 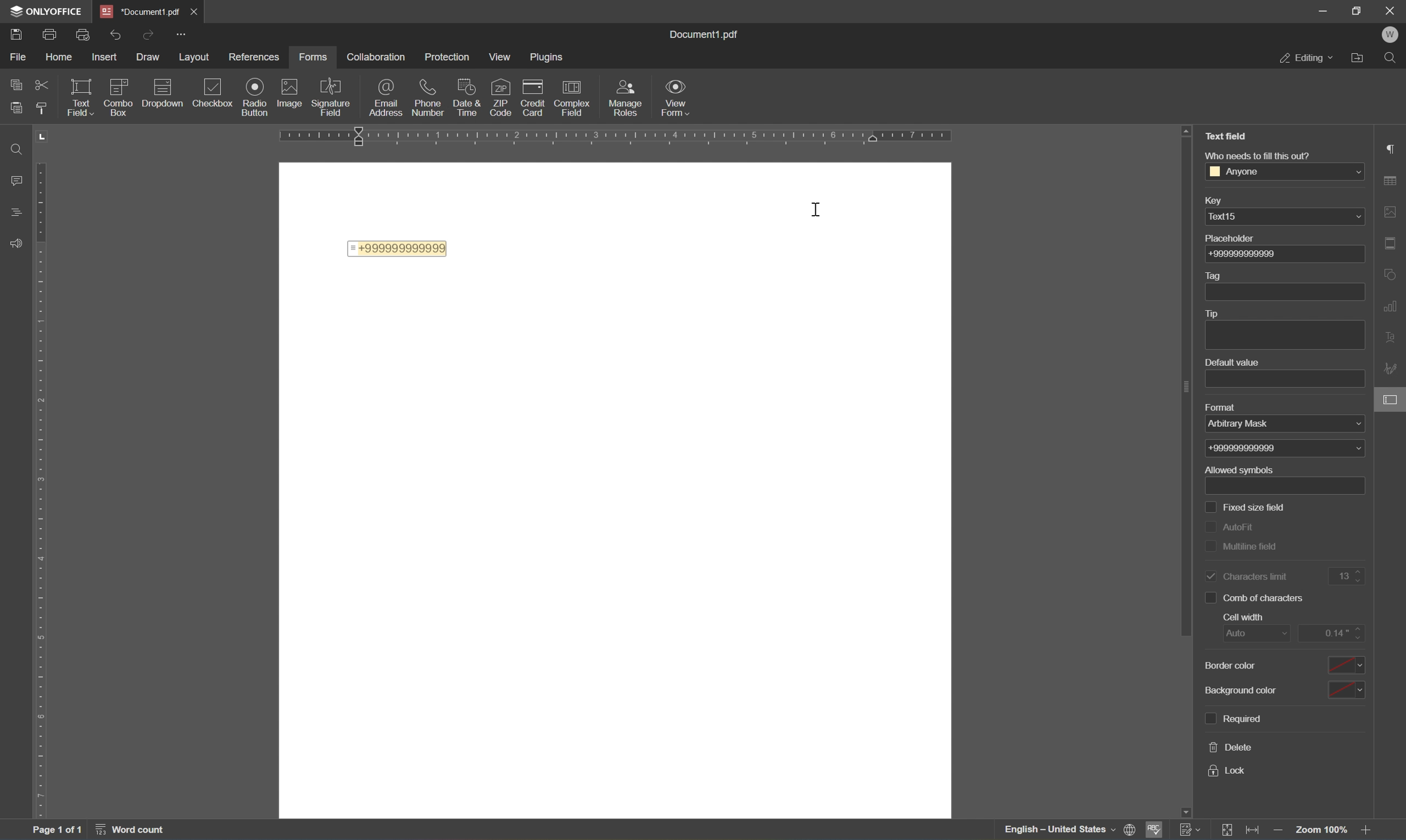 I want to click on zoom 100%, so click(x=1323, y=832).